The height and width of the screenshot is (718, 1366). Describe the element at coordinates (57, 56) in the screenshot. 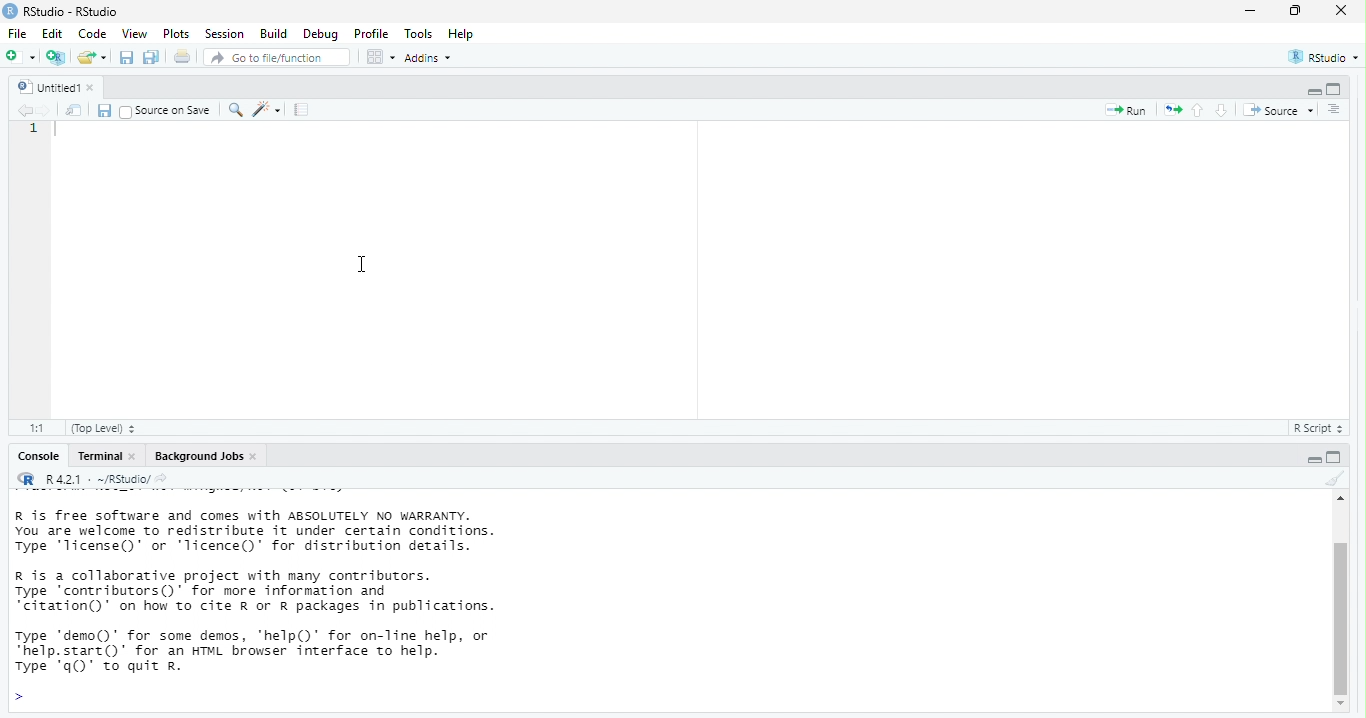

I see `create a project` at that location.